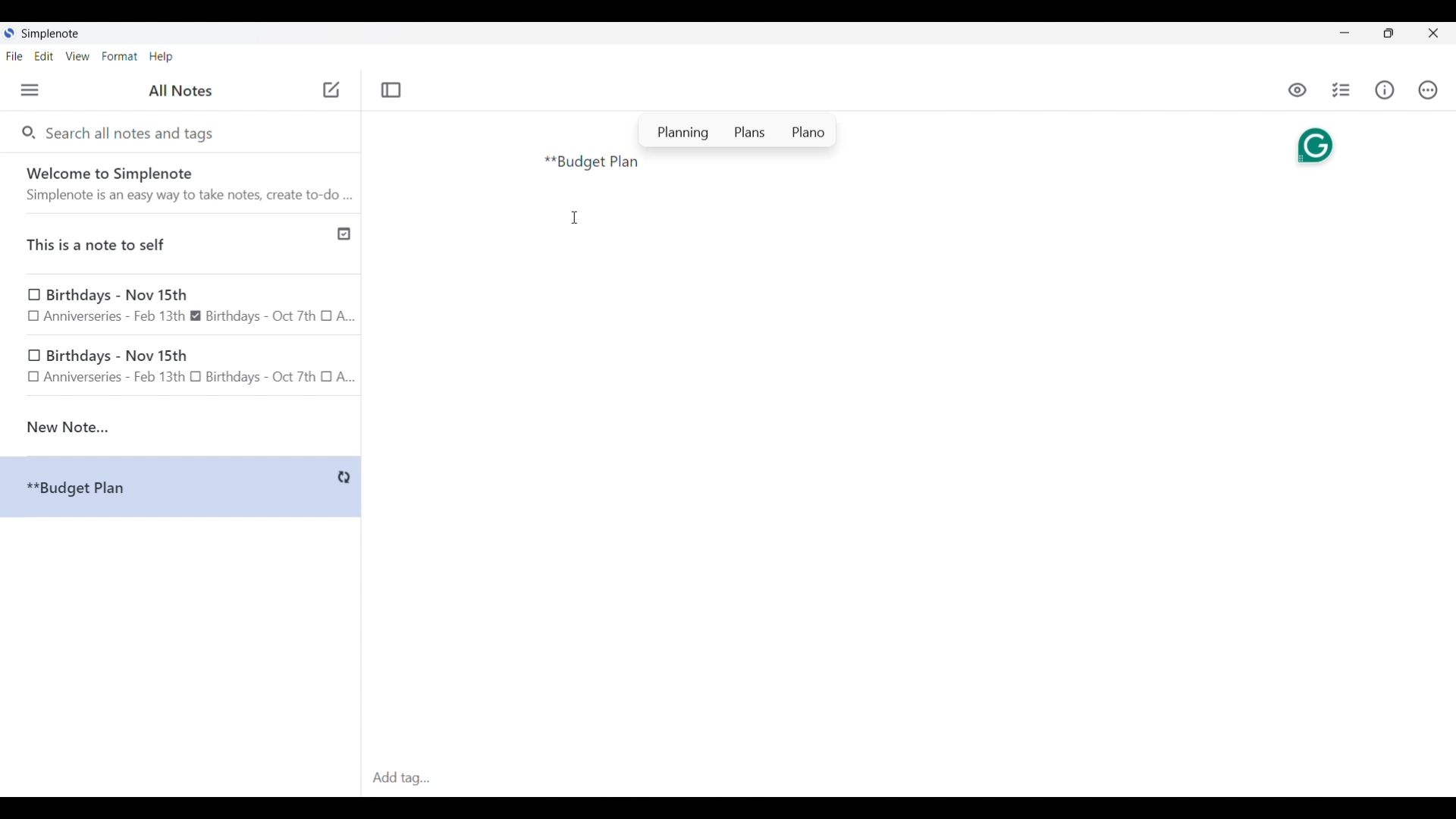 This screenshot has width=1456, height=819. I want to click on Toggle to see markdown preview, so click(1298, 90).